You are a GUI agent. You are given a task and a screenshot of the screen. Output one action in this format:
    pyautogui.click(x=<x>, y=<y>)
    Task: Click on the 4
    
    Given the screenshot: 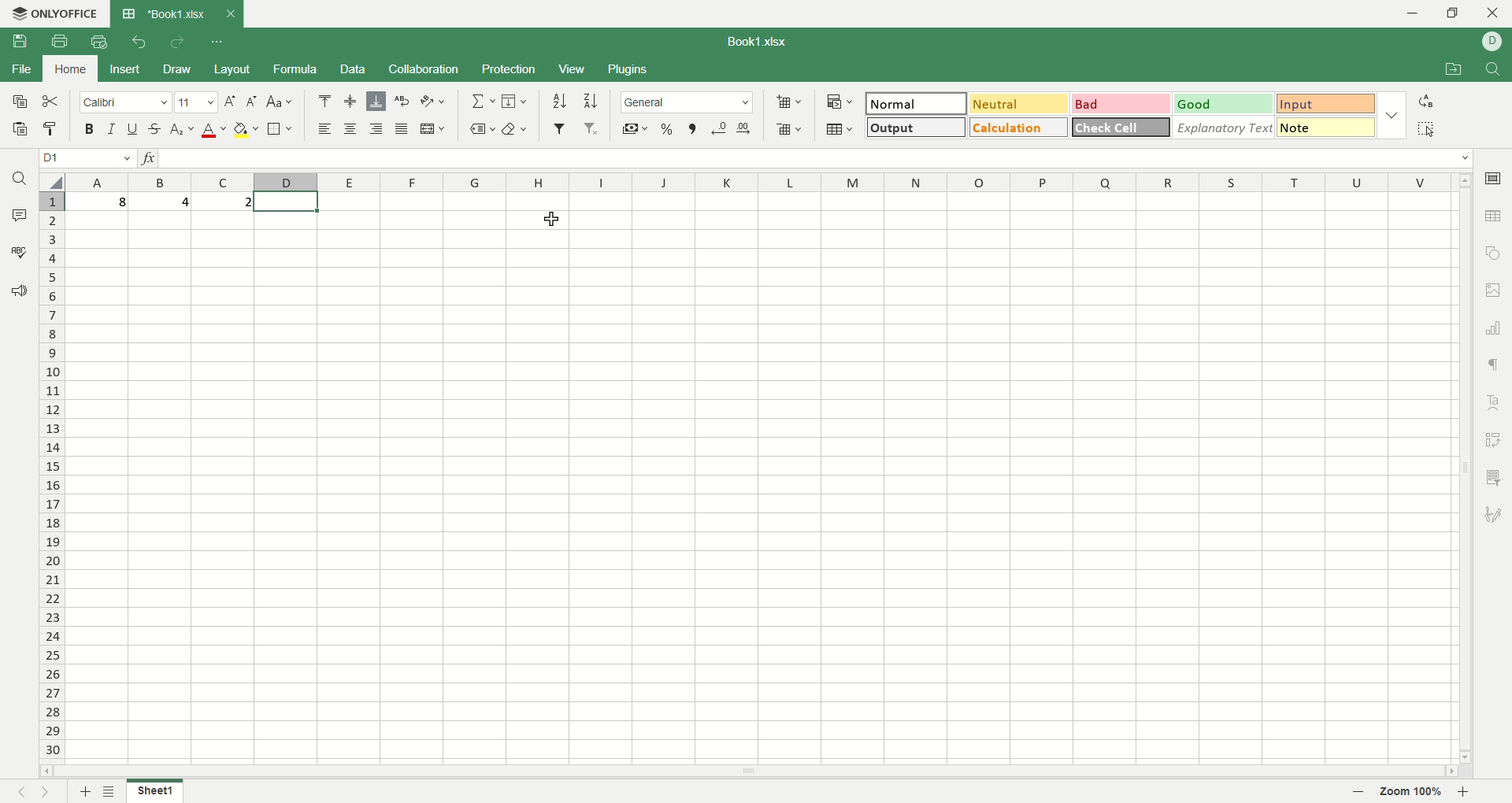 What is the action you would take?
    pyautogui.click(x=160, y=201)
    